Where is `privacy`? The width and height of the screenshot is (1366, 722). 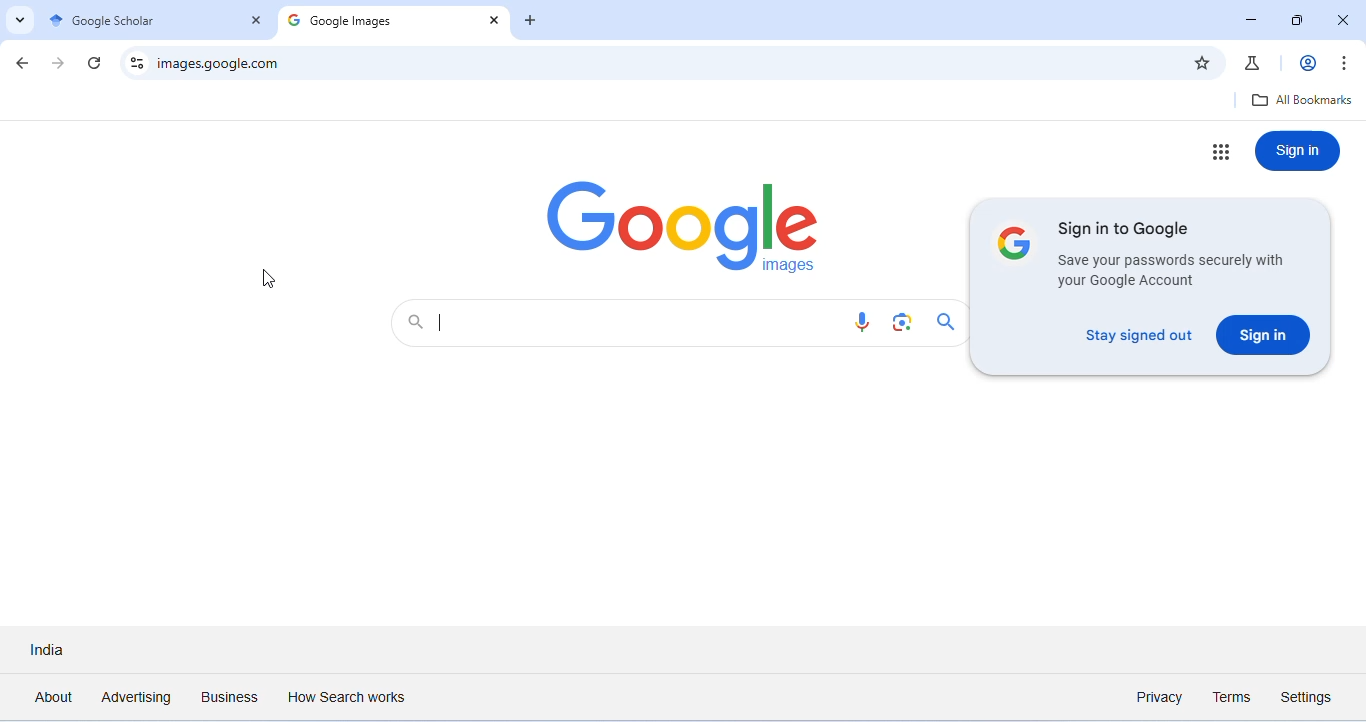 privacy is located at coordinates (1160, 699).